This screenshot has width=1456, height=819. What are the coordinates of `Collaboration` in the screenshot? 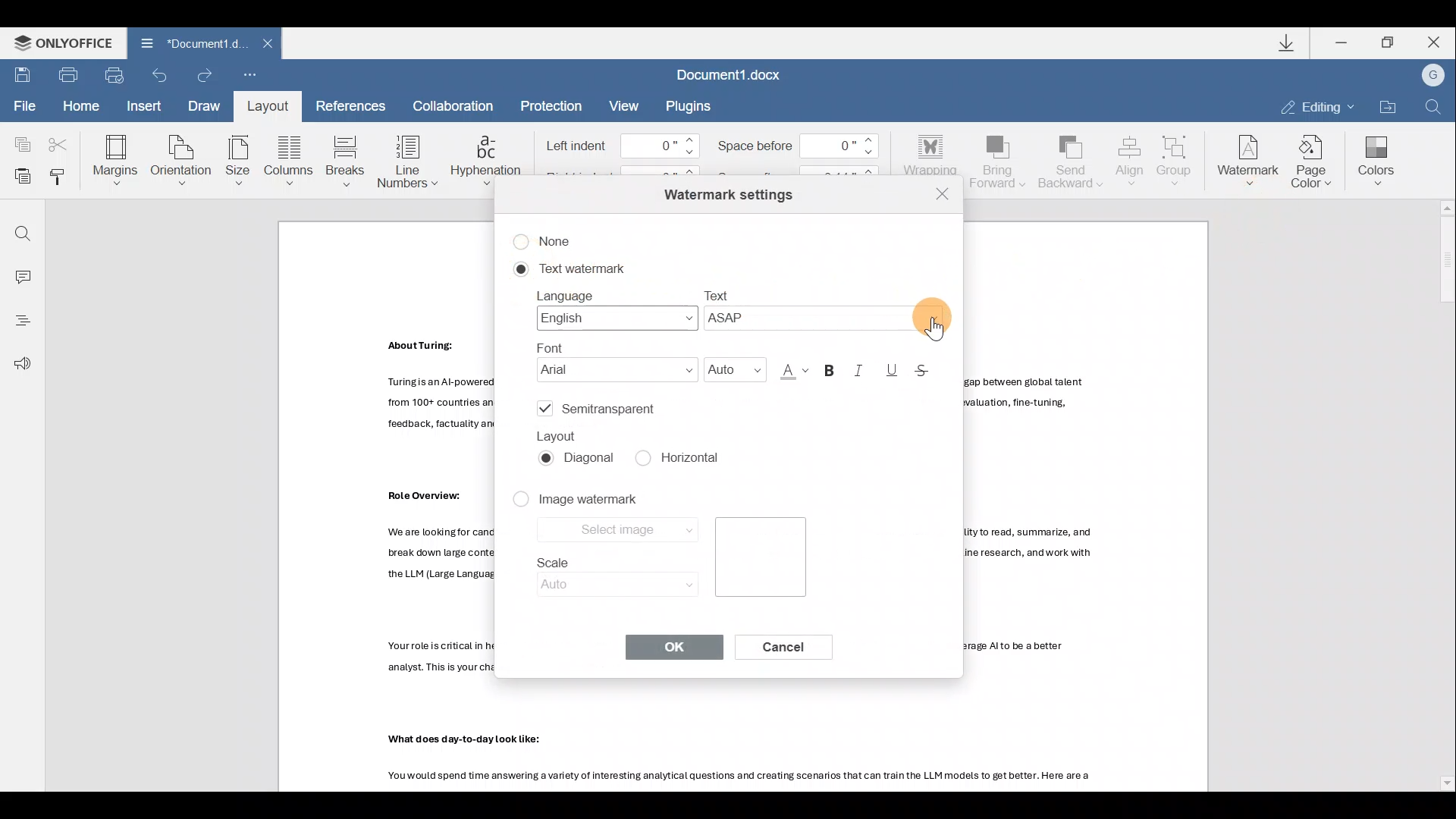 It's located at (460, 105).